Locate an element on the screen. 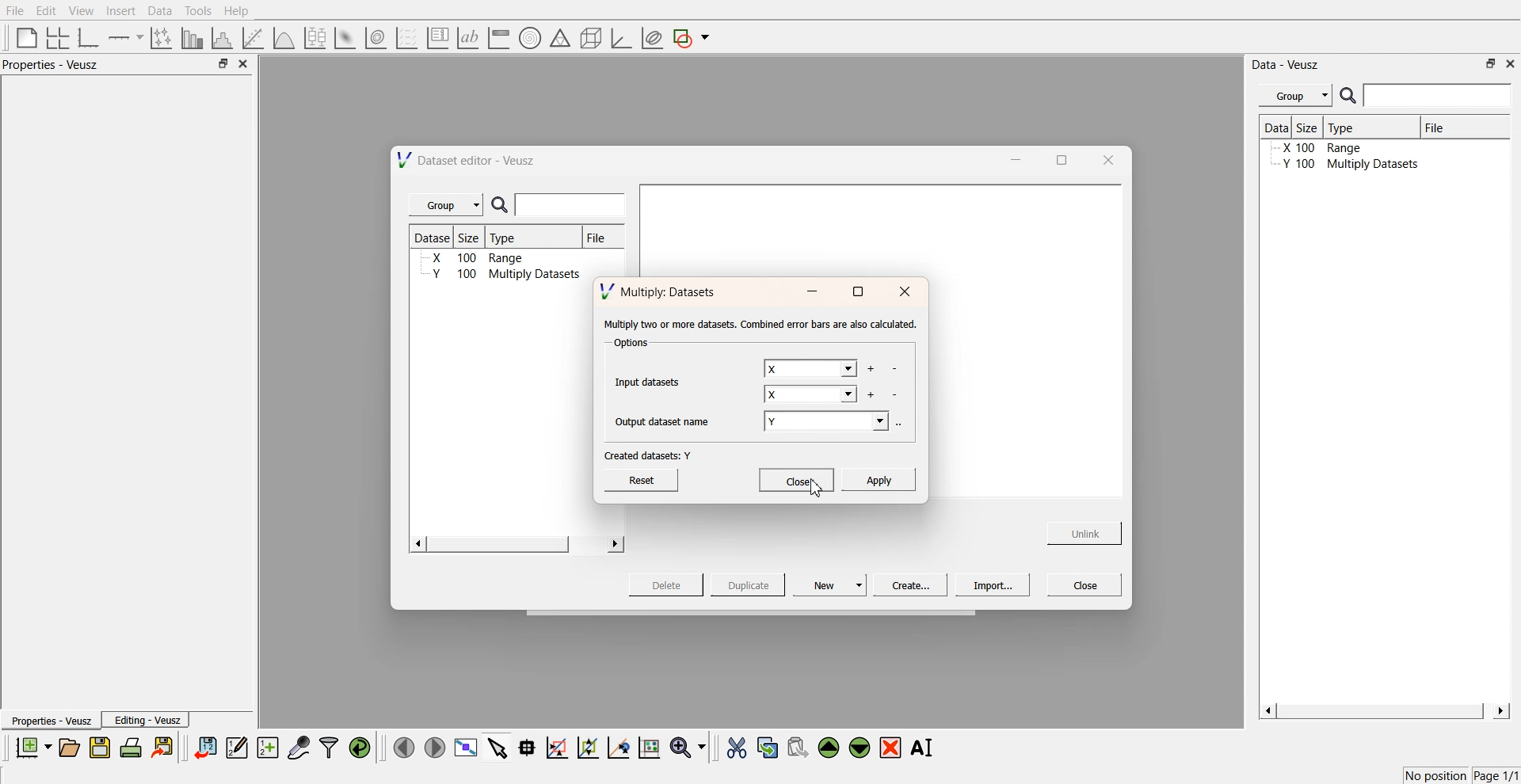 The height and width of the screenshot is (784, 1521). enter search field is located at coordinates (573, 205).